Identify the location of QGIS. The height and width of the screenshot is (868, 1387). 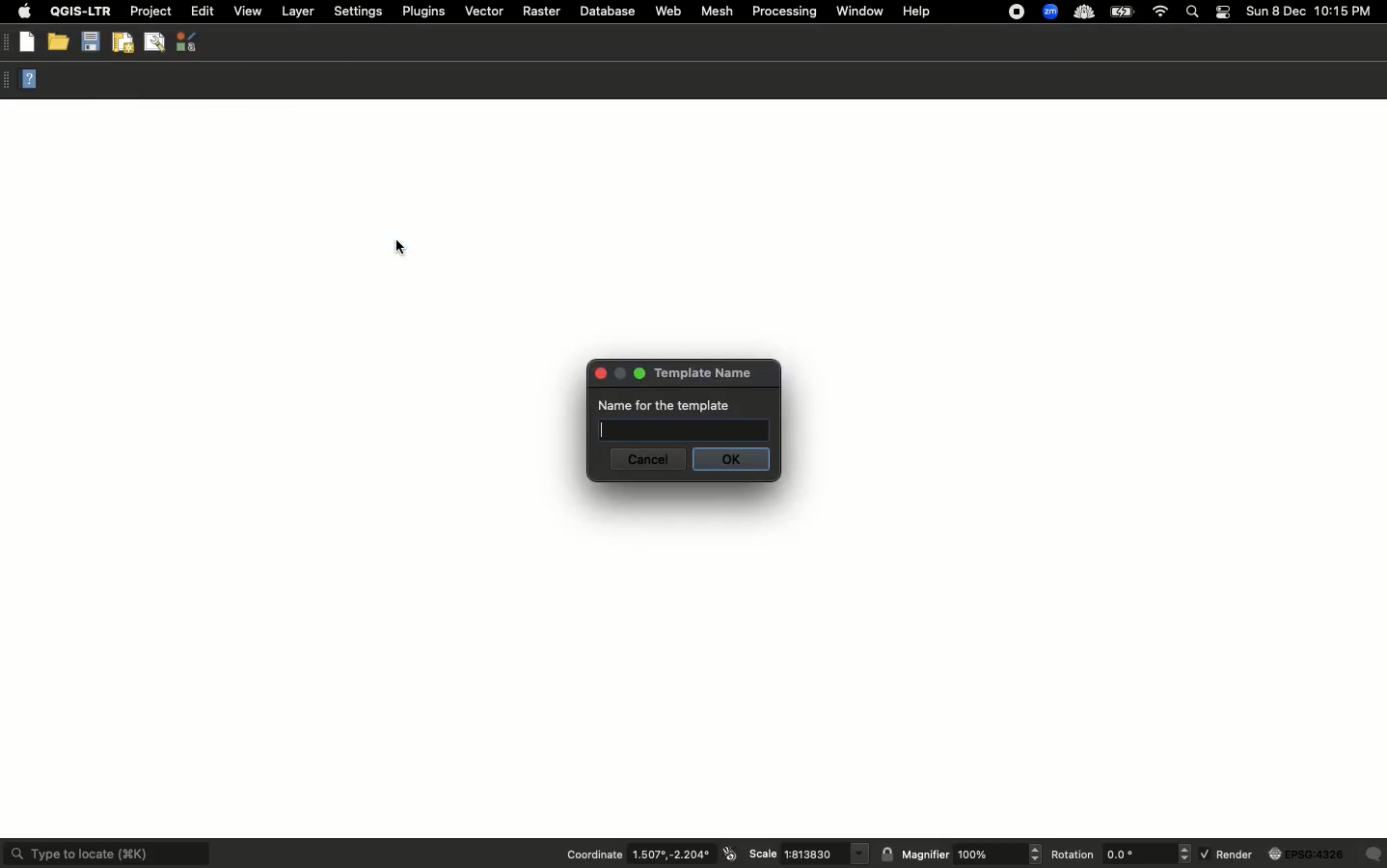
(80, 10).